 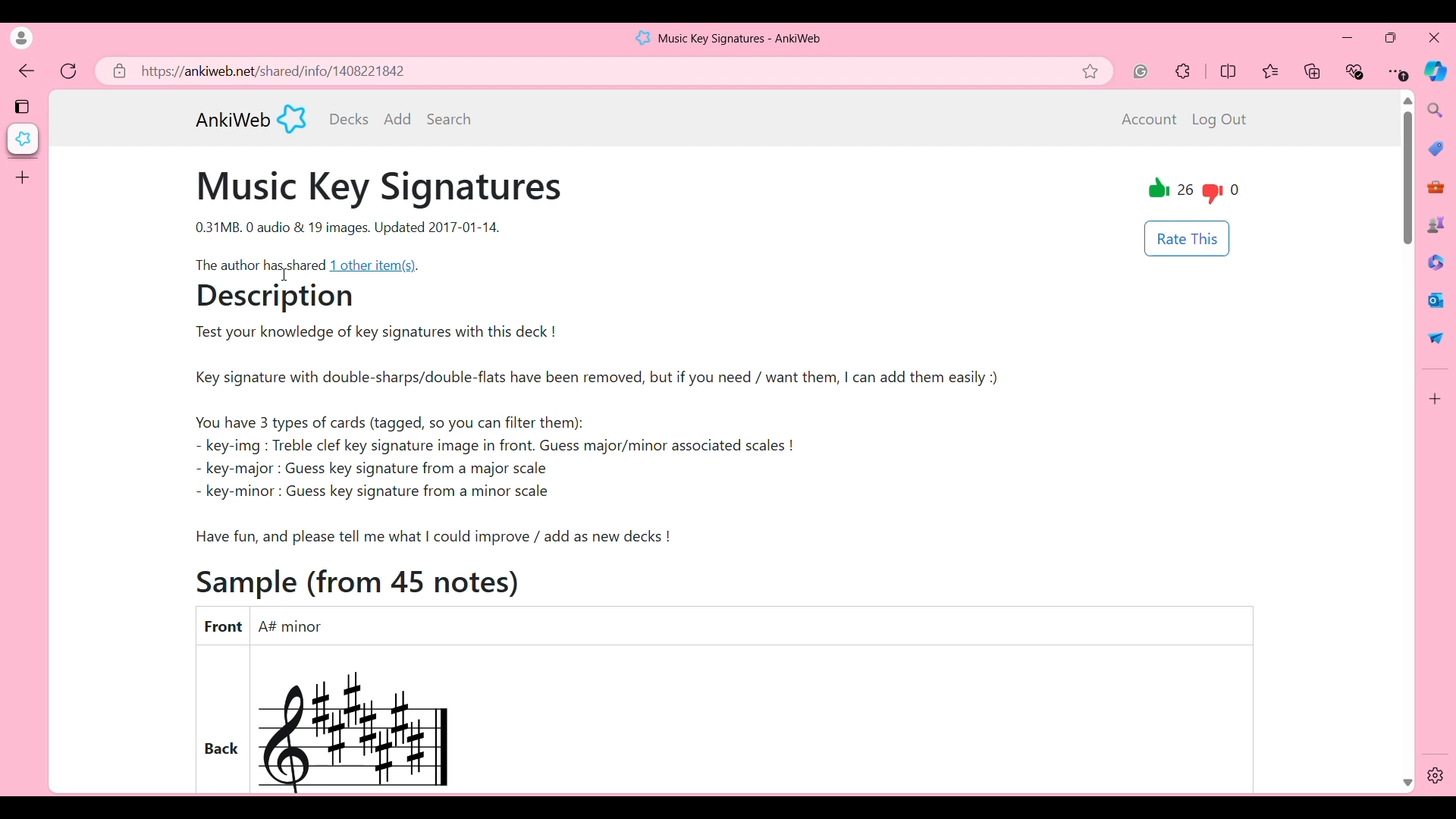 I want to click on Click to see current account's details, so click(x=21, y=38).